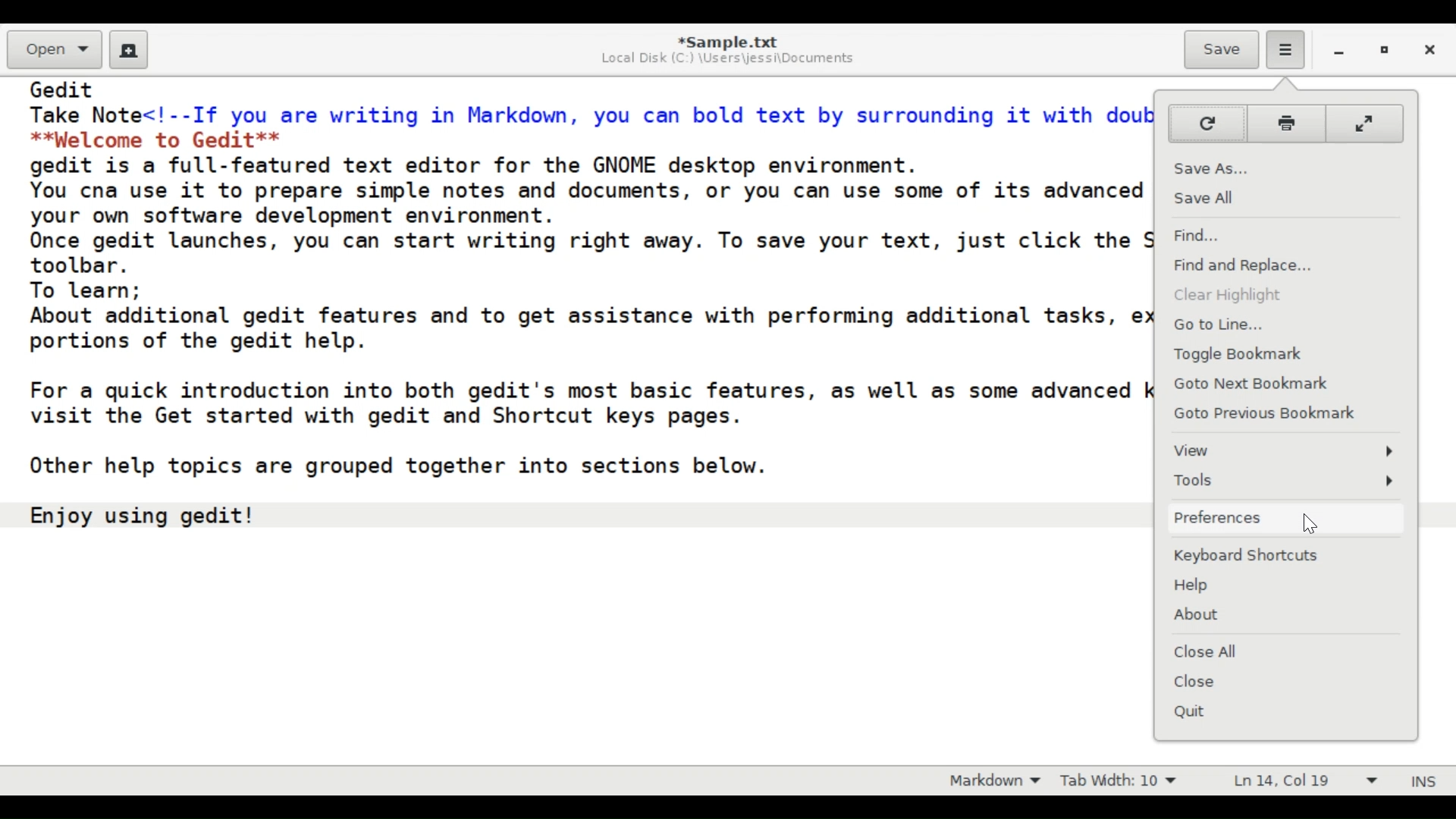 This screenshot has width=1456, height=819. Describe the element at coordinates (1312, 527) in the screenshot. I see `Cursor` at that location.